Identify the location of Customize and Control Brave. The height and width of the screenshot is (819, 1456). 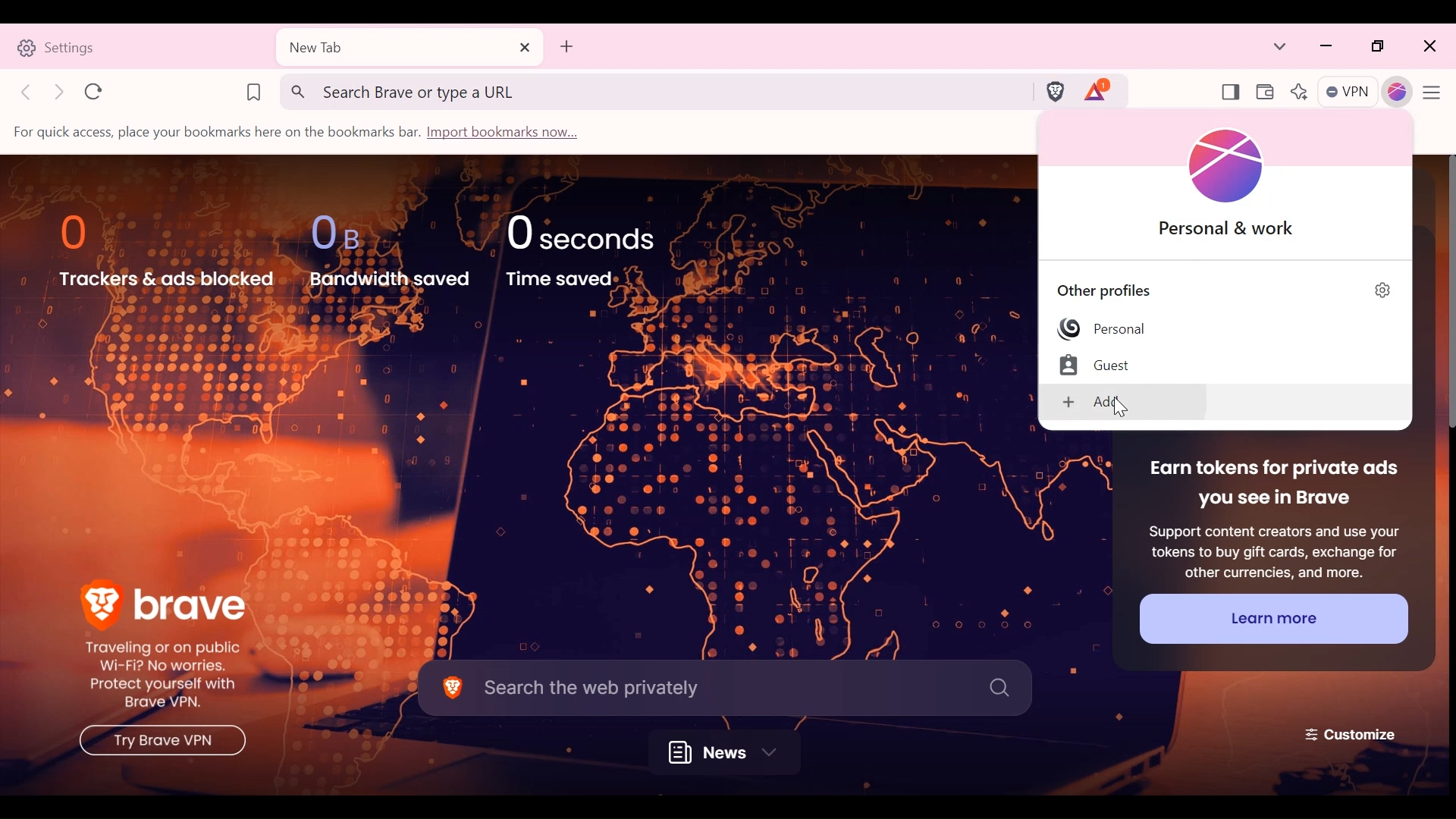
(1436, 95).